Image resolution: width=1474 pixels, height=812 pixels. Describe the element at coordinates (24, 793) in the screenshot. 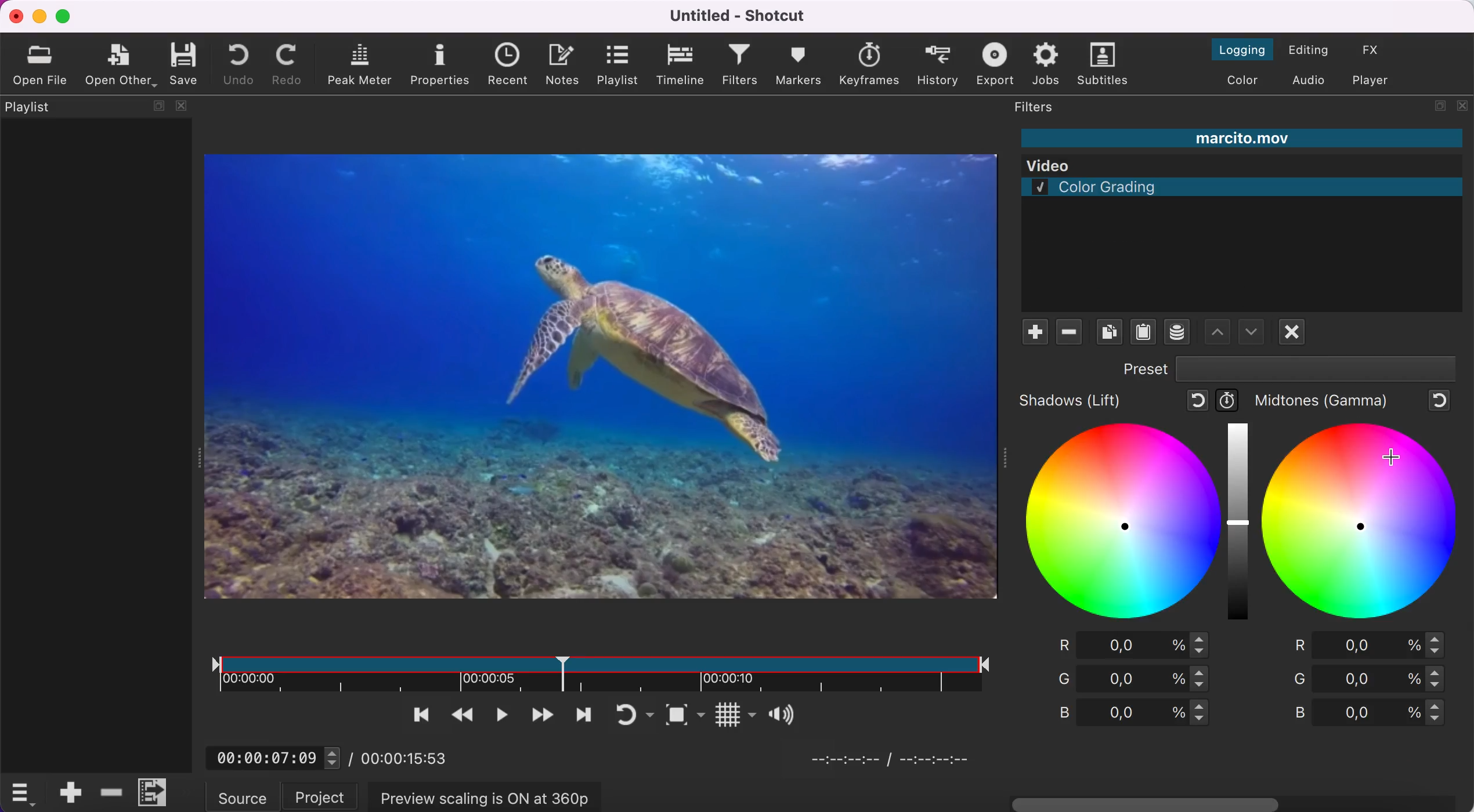

I see `timelime options` at that location.